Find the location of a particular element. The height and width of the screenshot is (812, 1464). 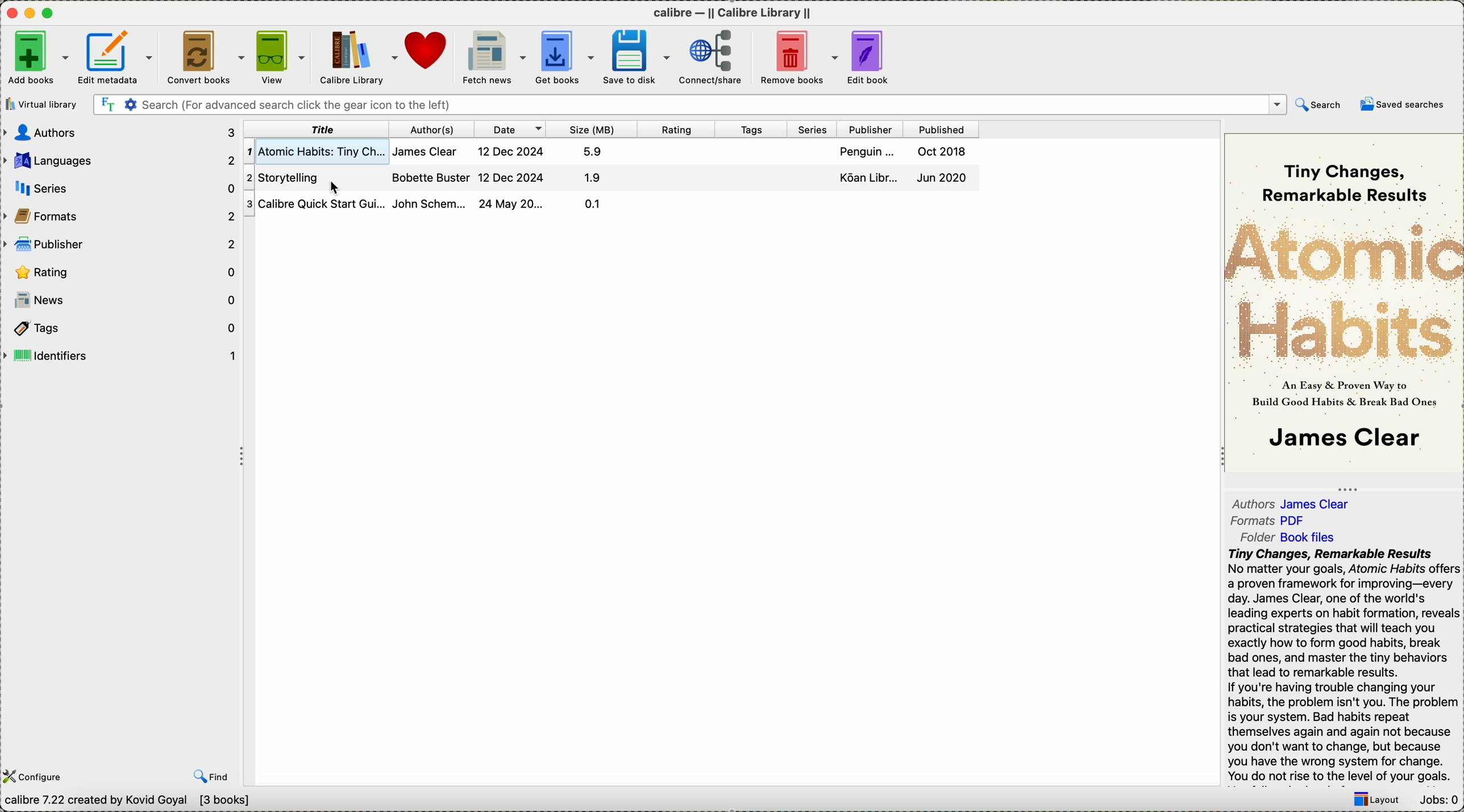

remove books is located at coordinates (800, 57).